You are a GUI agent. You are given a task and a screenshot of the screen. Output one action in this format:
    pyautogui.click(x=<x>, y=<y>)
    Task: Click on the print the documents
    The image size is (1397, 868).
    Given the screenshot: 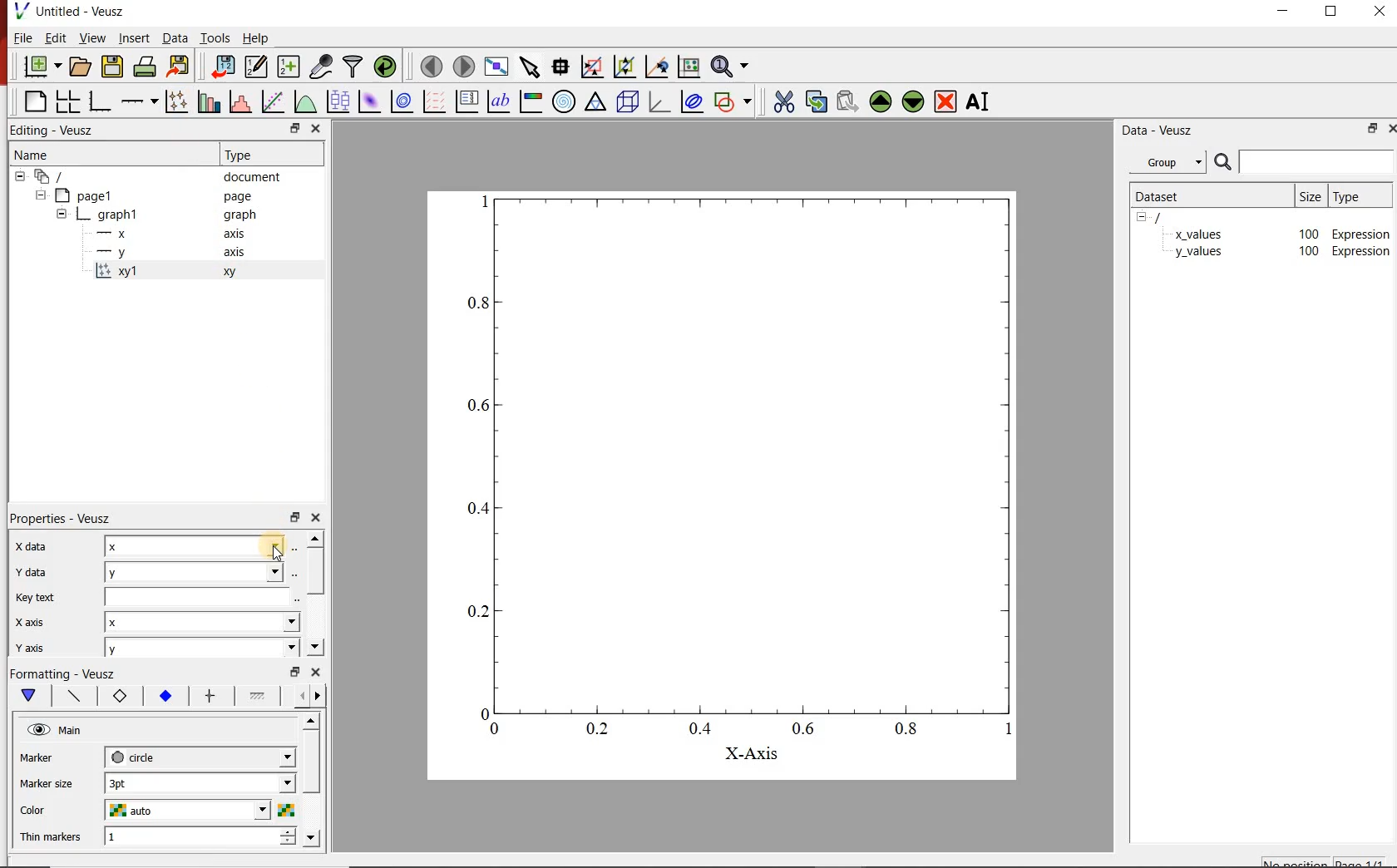 What is the action you would take?
    pyautogui.click(x=145, y=67)
    